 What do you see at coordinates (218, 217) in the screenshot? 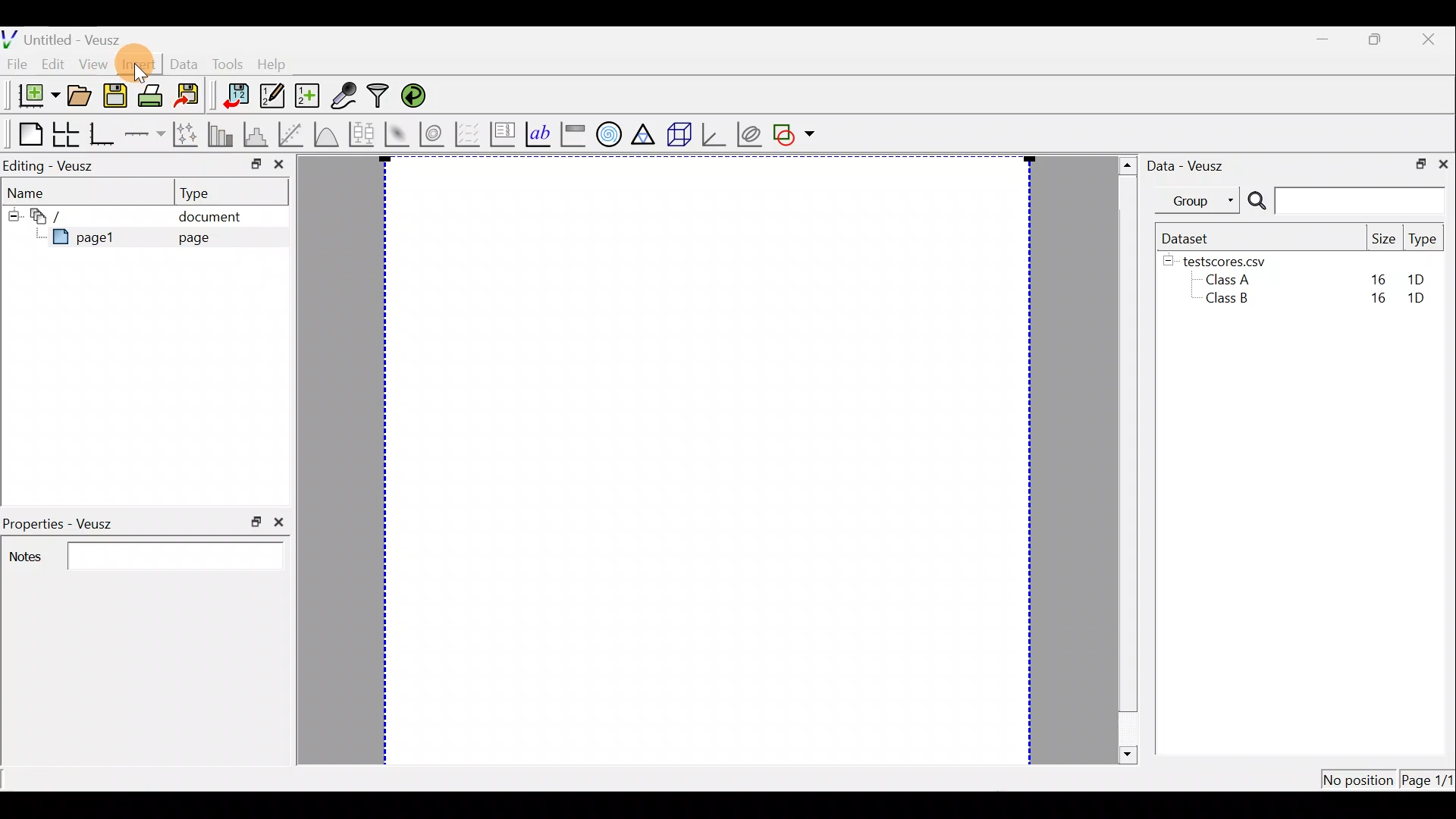
I see `document` at bounding box center [218, 217].